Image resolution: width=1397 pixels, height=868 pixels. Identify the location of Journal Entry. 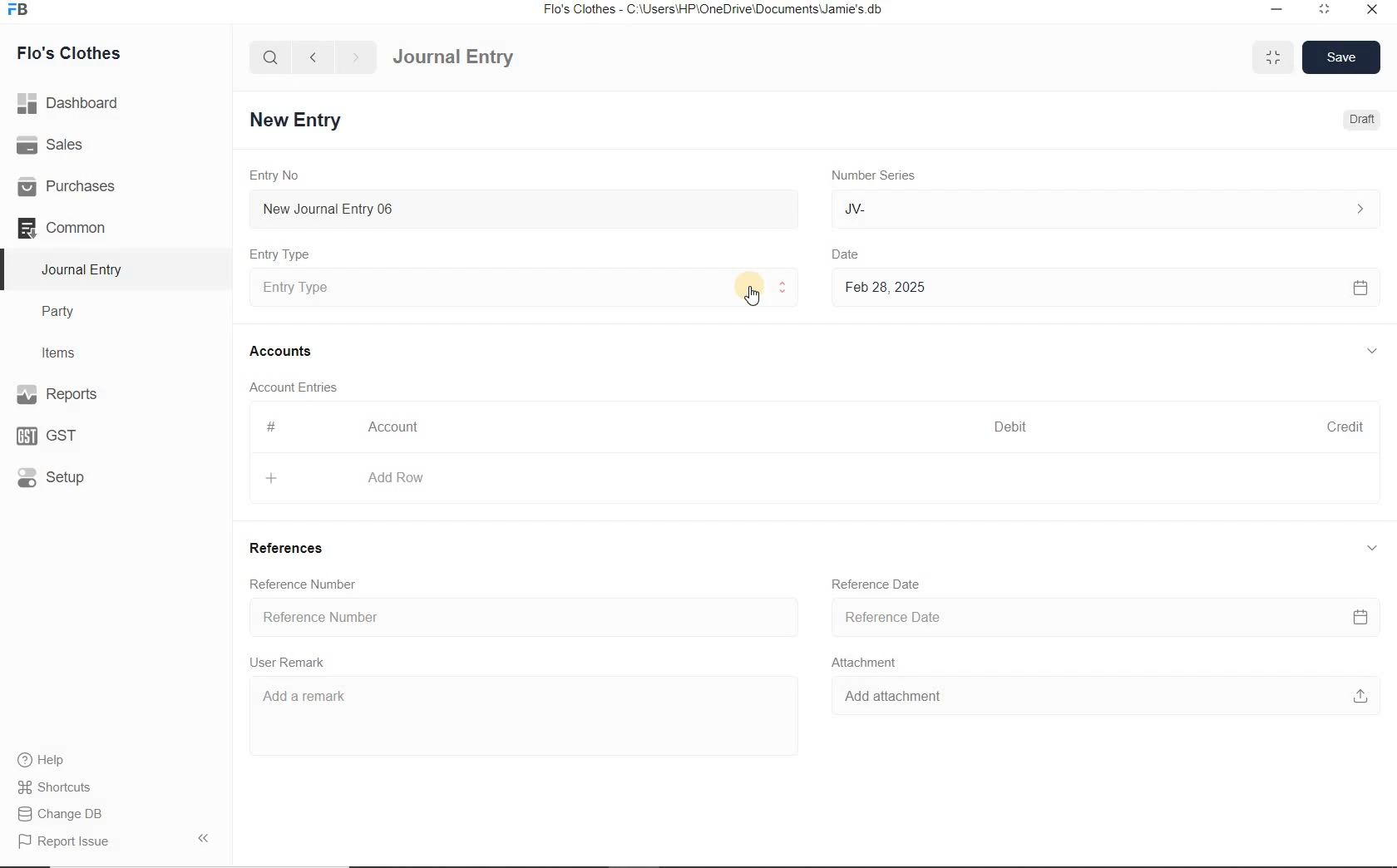
(84, 269).